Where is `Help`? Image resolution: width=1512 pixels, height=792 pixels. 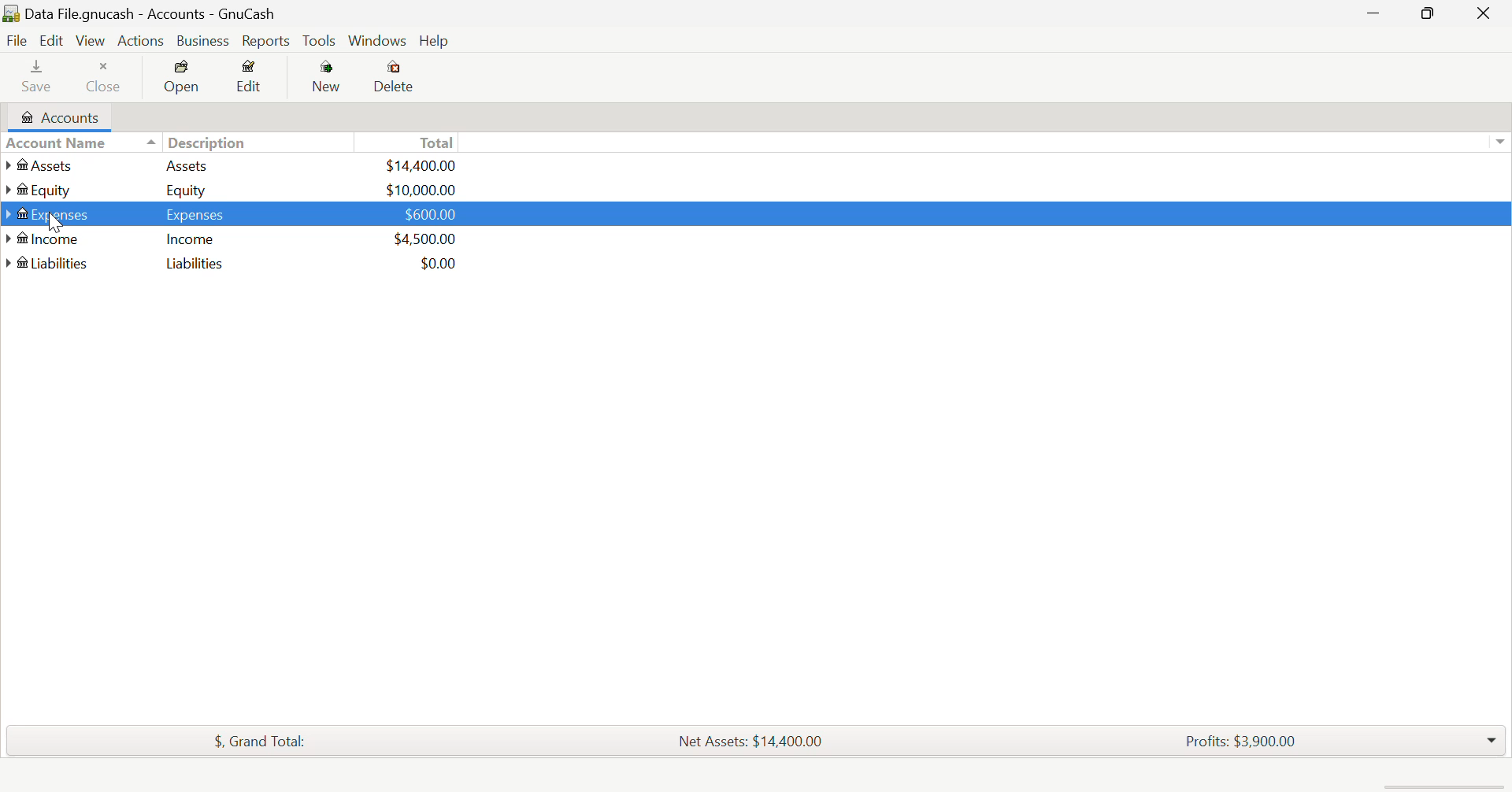
Help is located at coordinates (435, 41).